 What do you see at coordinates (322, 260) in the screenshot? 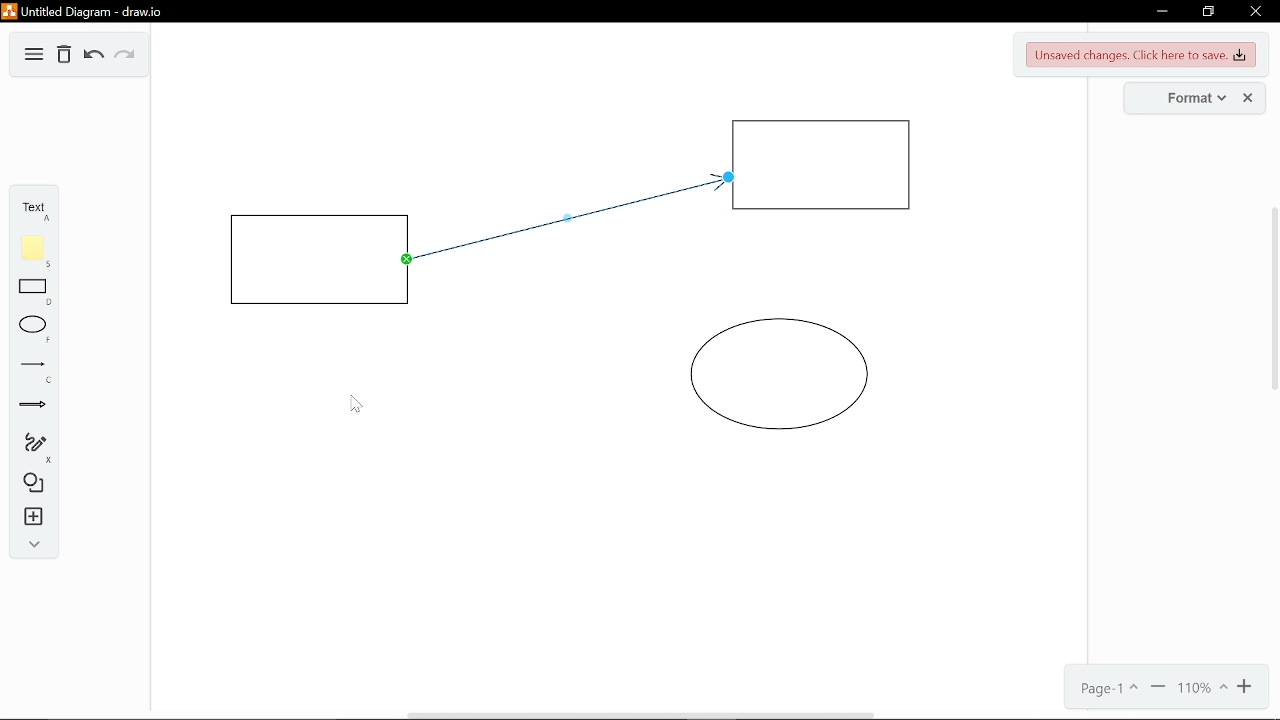
I see `Rectangle` at bounding box center [322, 260].